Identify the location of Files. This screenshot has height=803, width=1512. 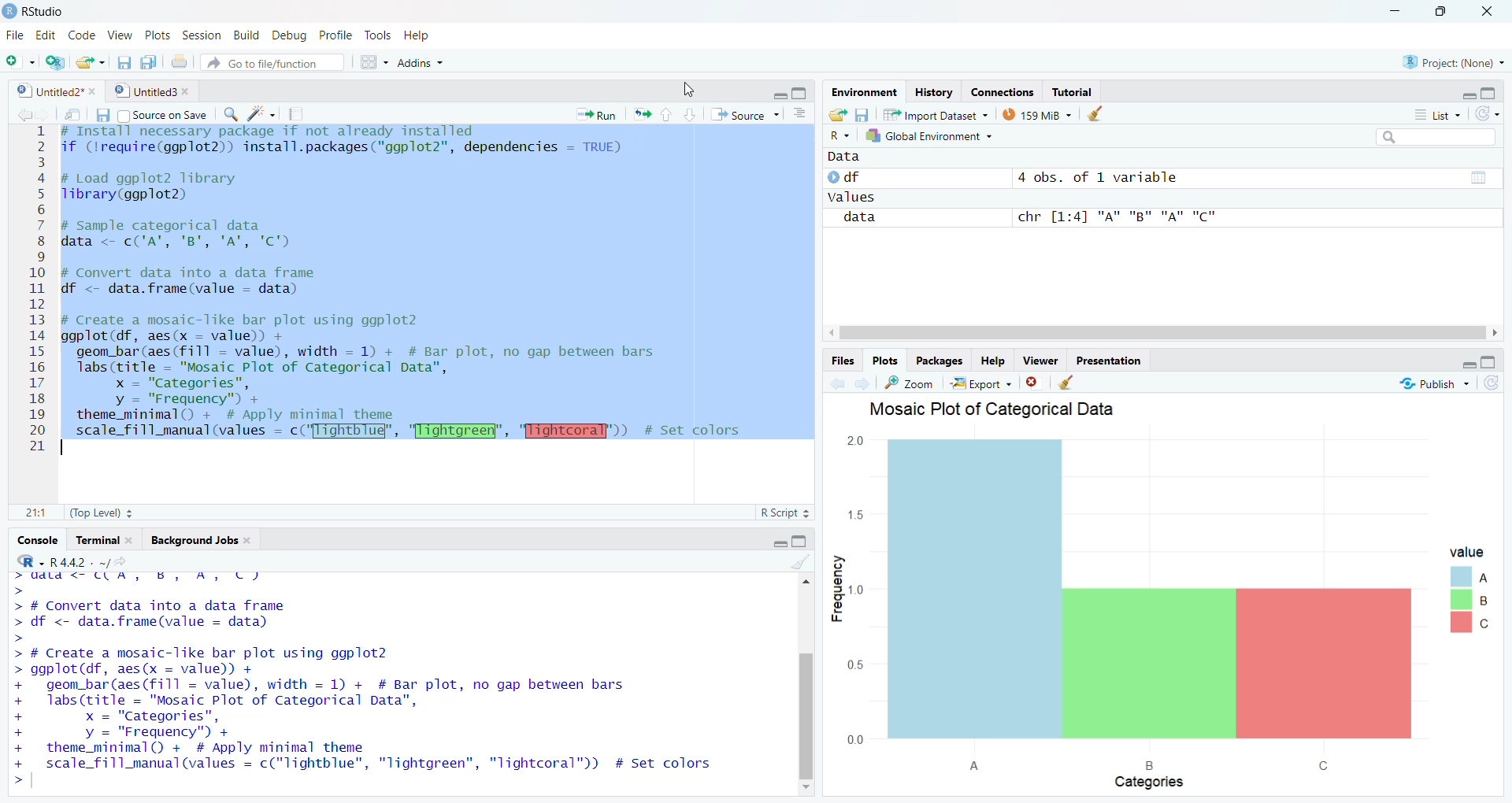
(843, 362).